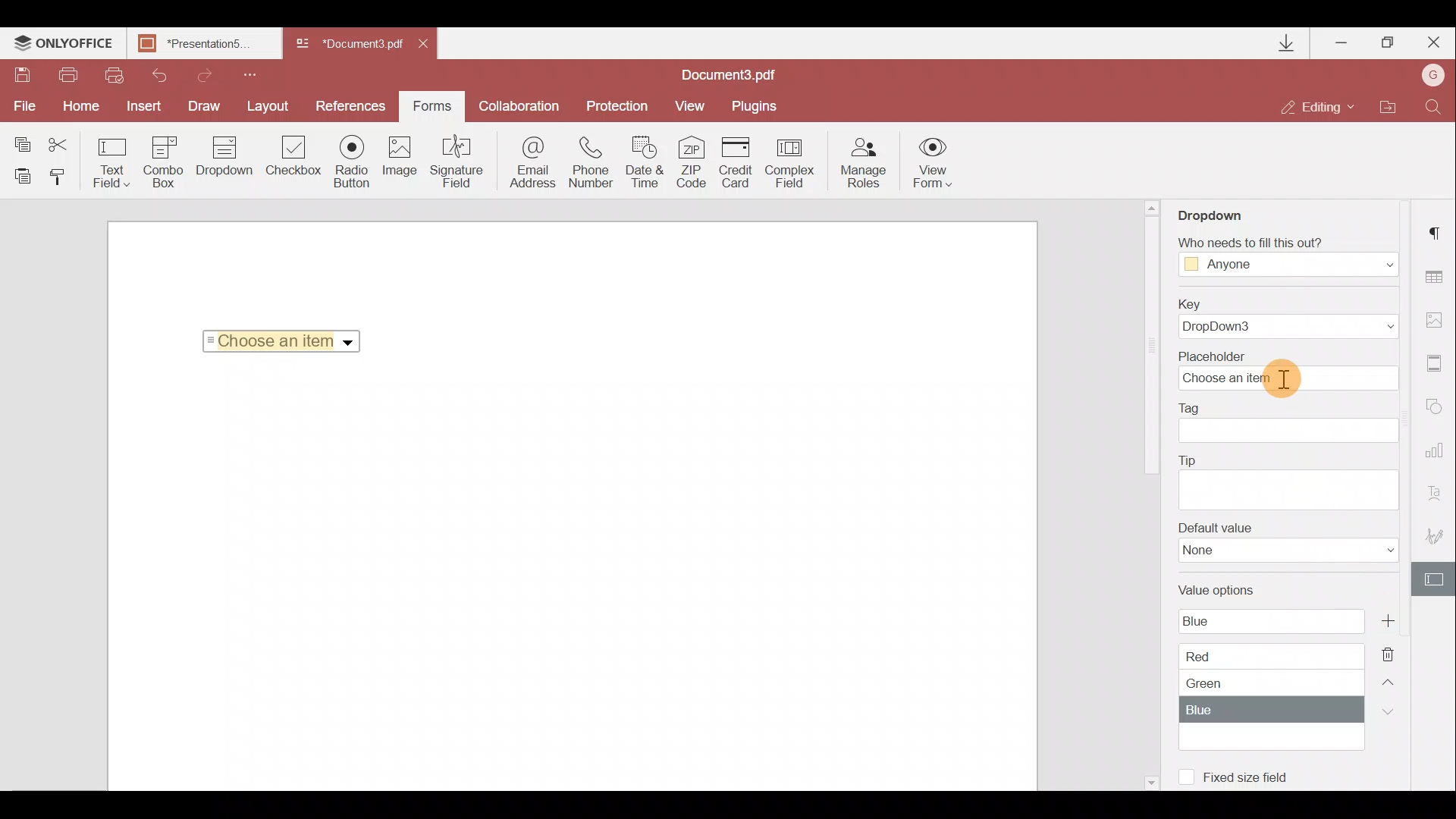 The height and width of the screenshot is (819, 1456). What do you see at coordinates (1283, 378) in the screenshot?
I see `Cursor` at bounding box center [1283, 378].